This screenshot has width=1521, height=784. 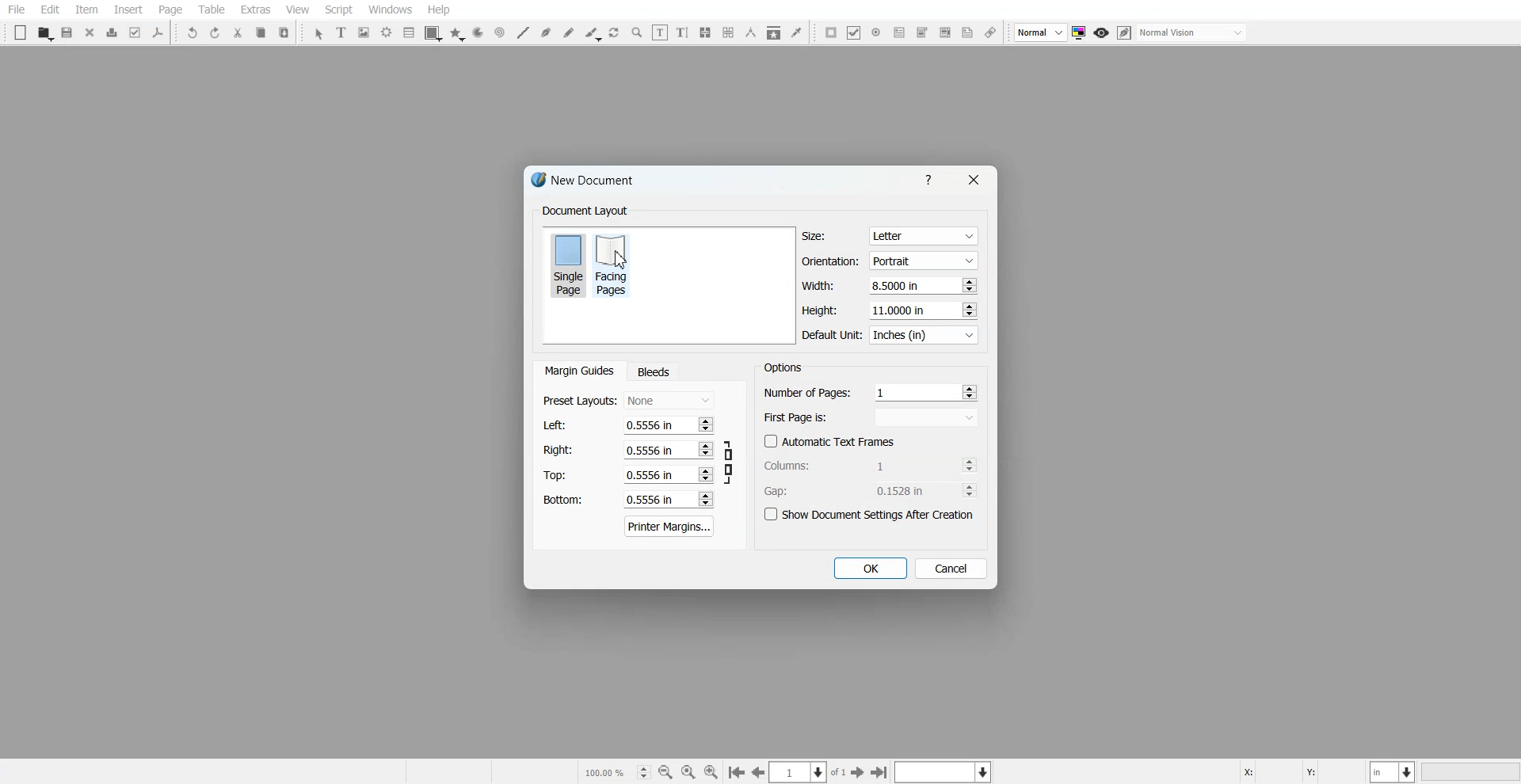 I want to click on Windows, so click(x=391, y=10).